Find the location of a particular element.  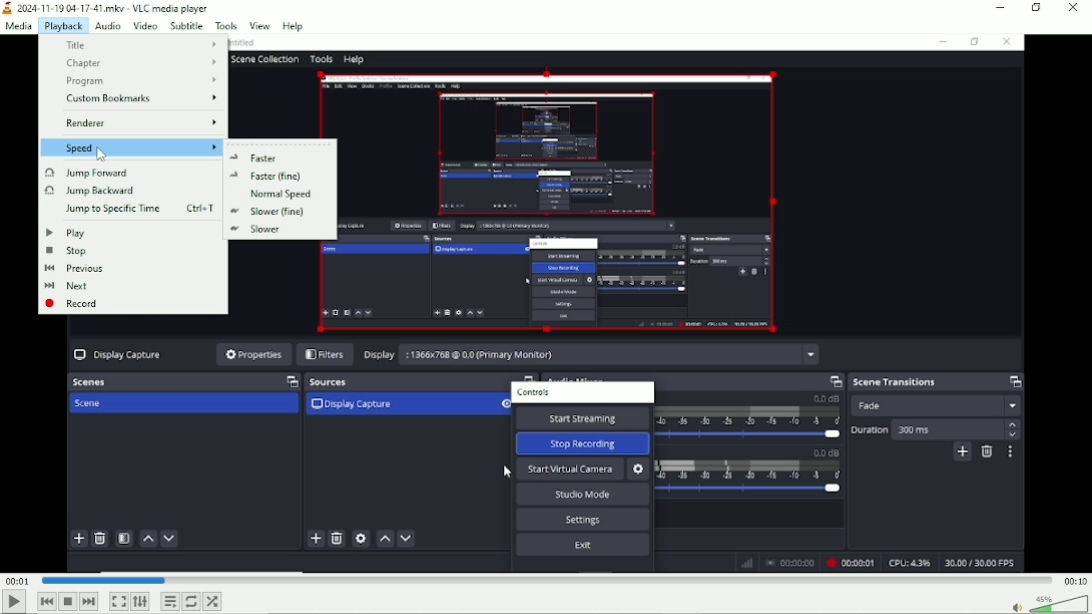

next is located at coordinates (128, 287).